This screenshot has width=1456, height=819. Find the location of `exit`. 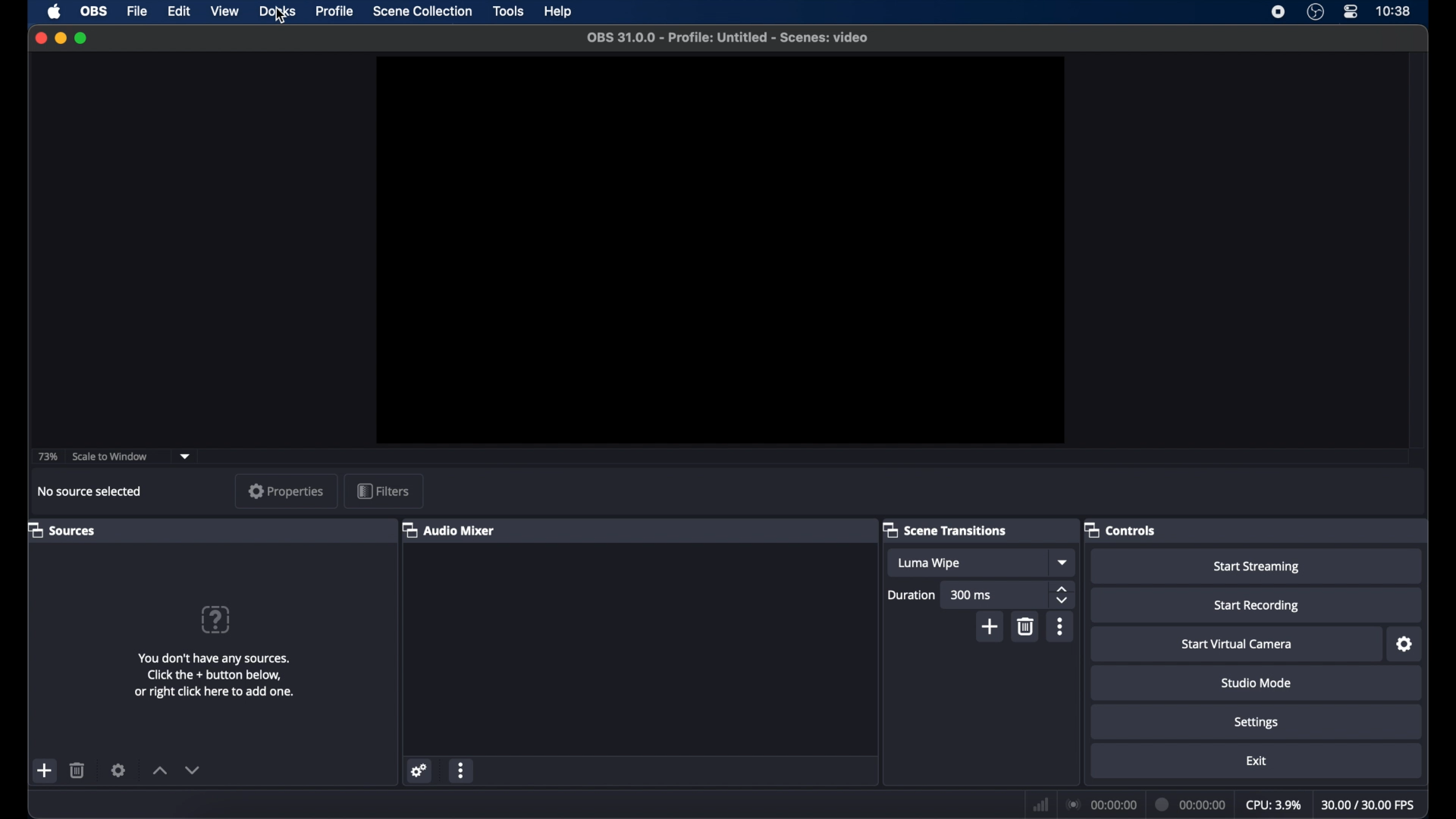

exit is located at coordinates (1257, 761).